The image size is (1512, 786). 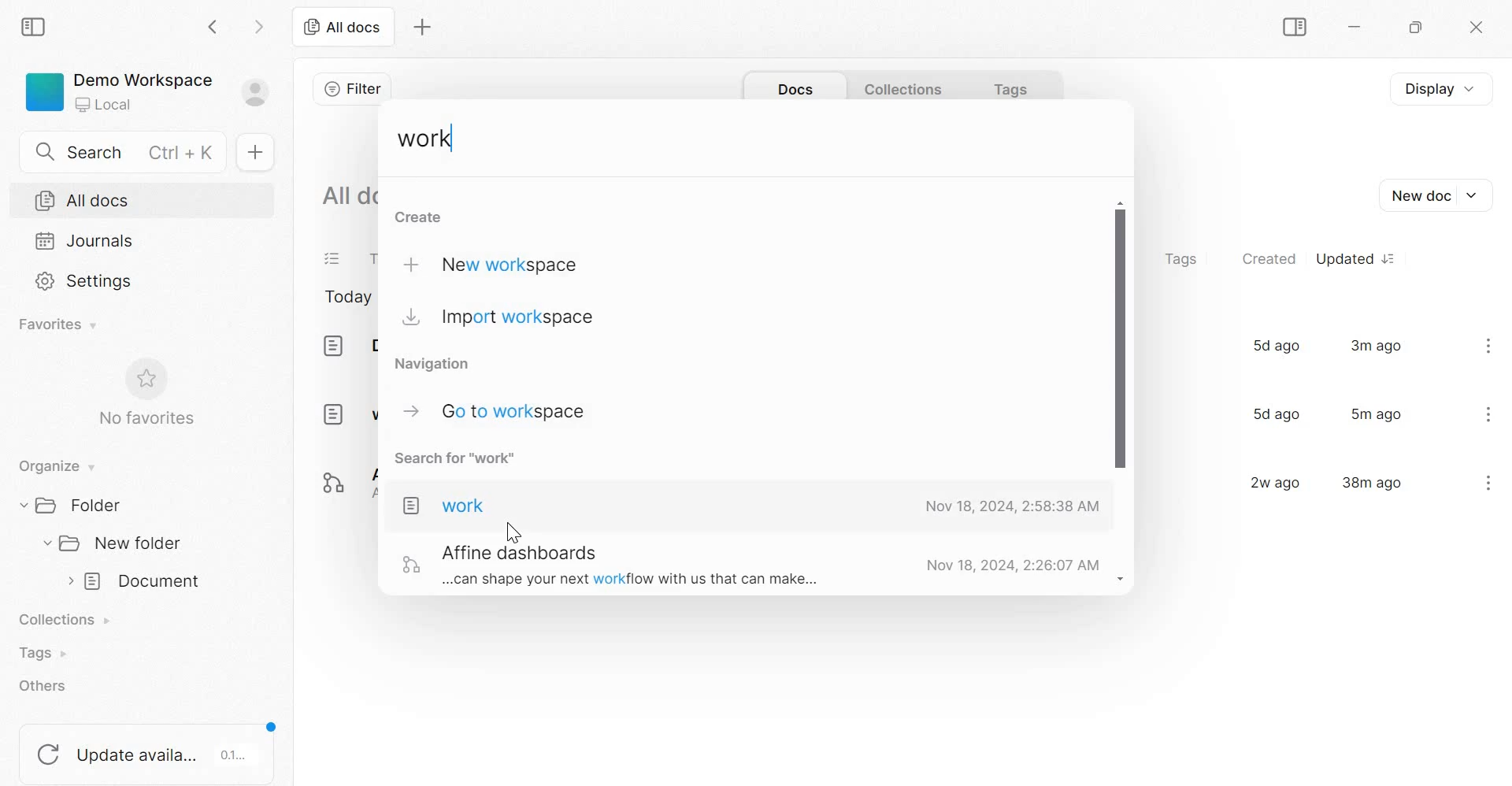 What do you see at coordinates (1372, 481) in the screenshot?
I see `38m ago` at bounding box center [1372, 481].